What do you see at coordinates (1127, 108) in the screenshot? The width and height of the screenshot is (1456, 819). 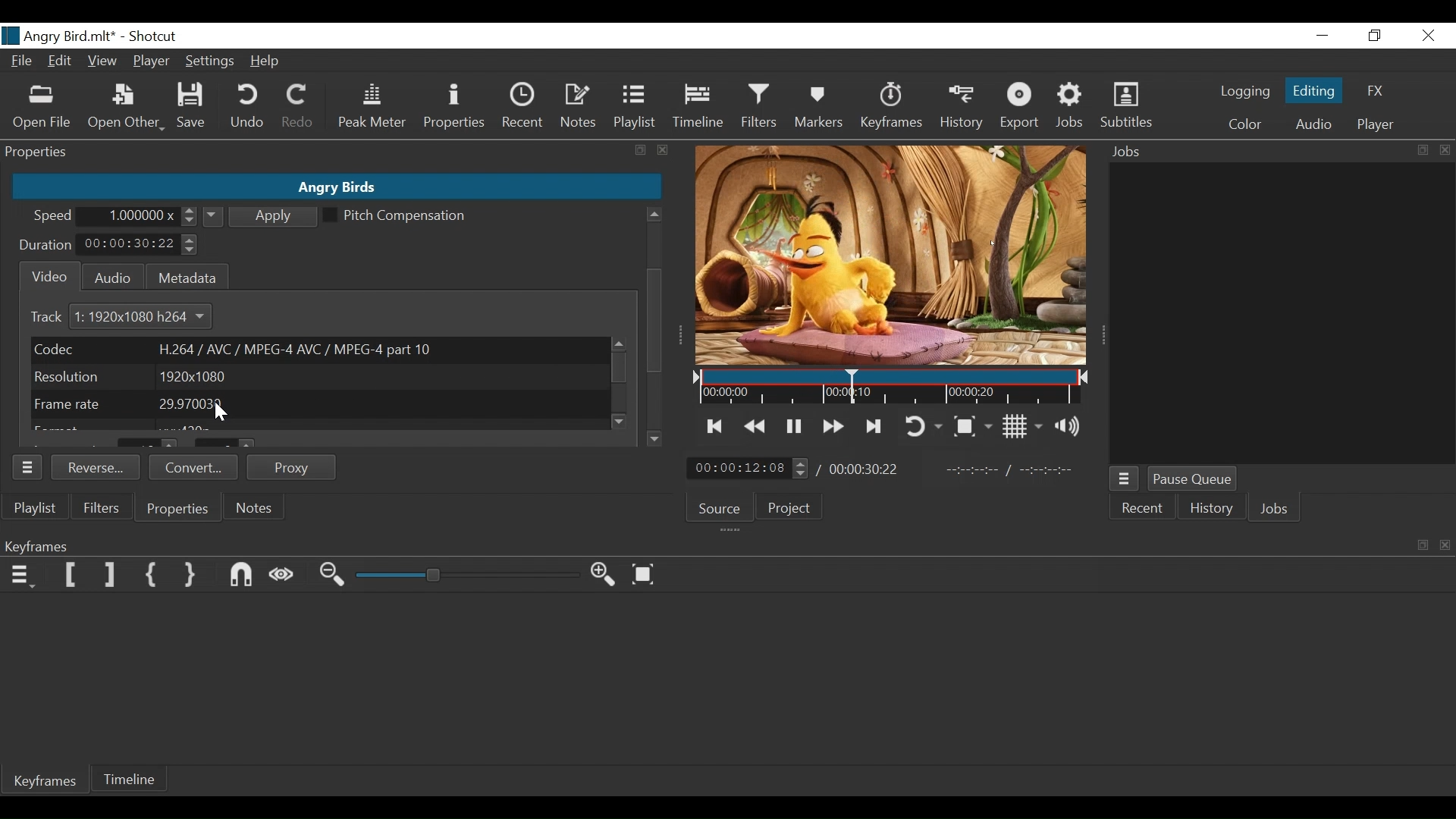 I see `Subtitles` at bounding box center [1127, 108].